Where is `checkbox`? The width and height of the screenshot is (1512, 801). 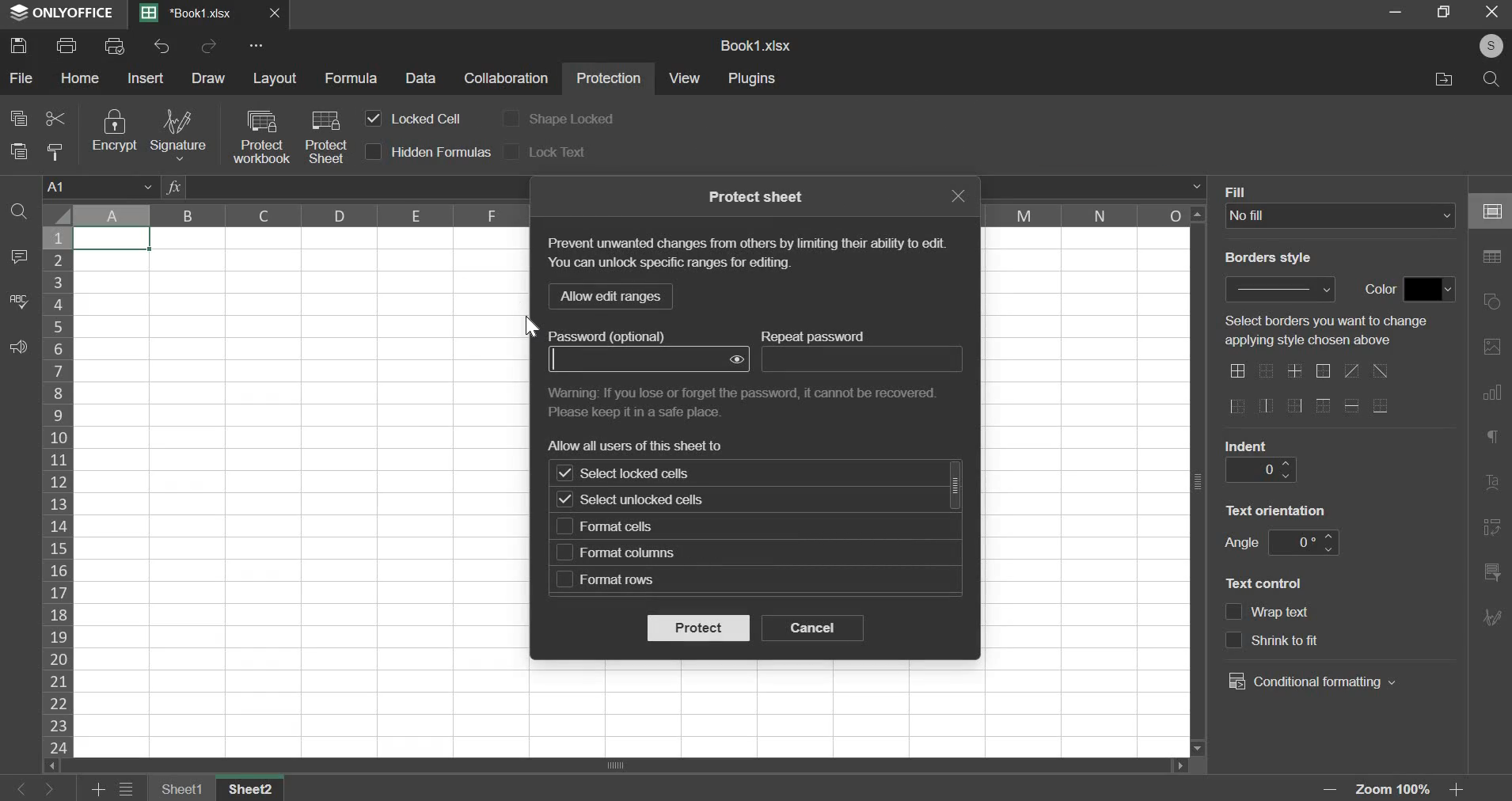 checkbox is located at coordinates (565, 579).